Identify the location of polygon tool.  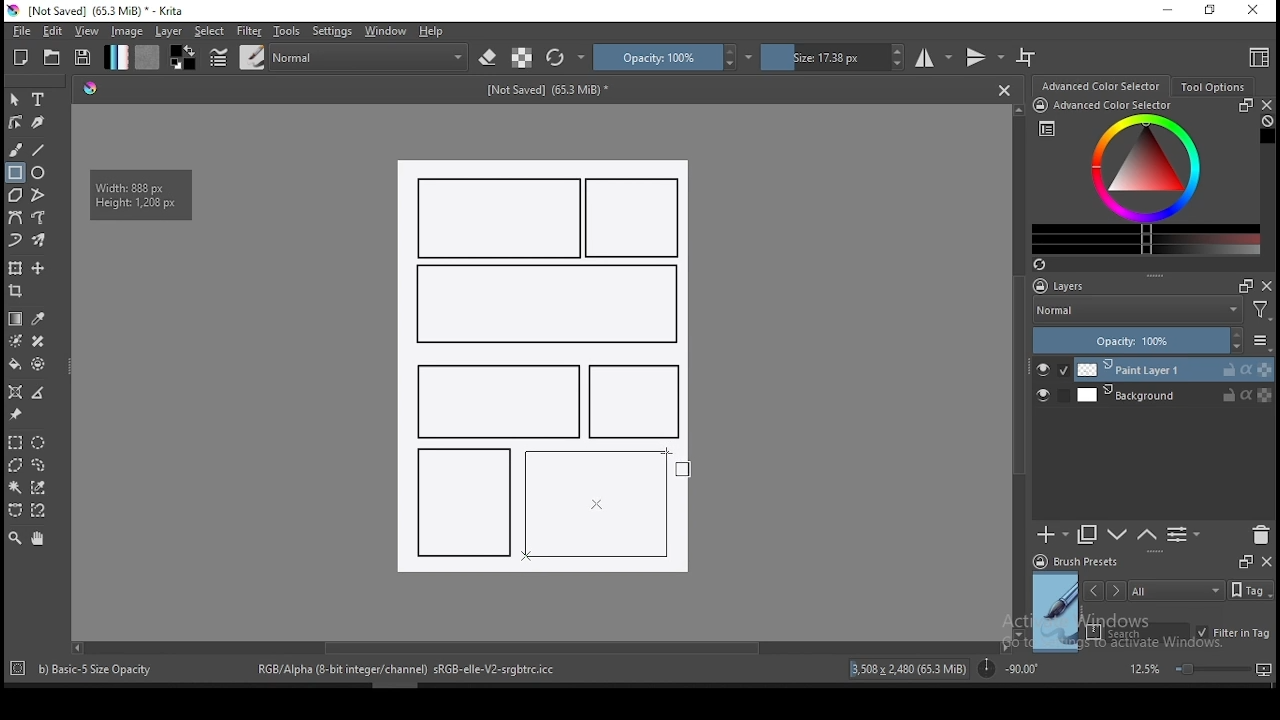
(14, 195).